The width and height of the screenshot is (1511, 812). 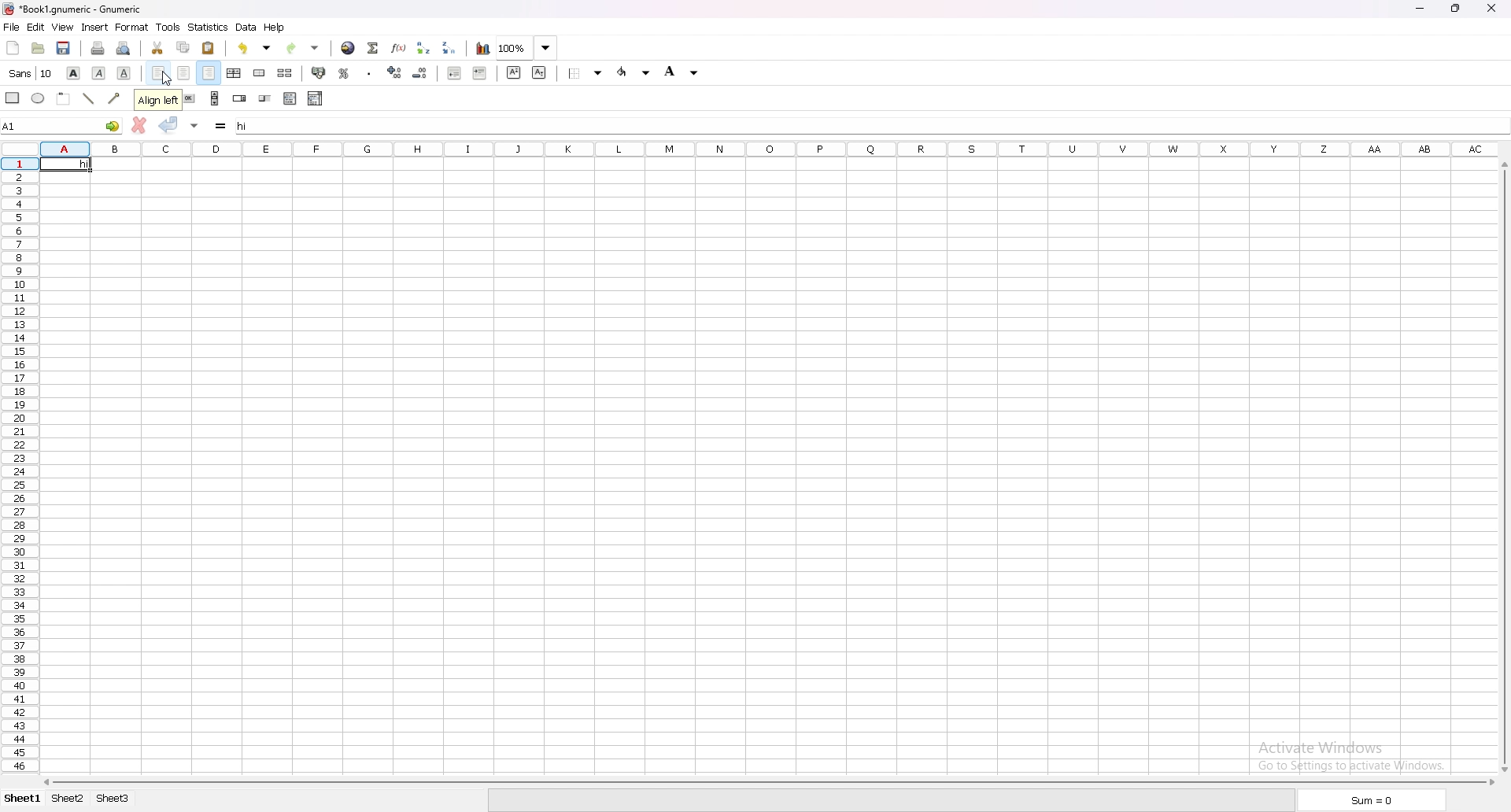 I want to click on line, so click(x=89, y=98).